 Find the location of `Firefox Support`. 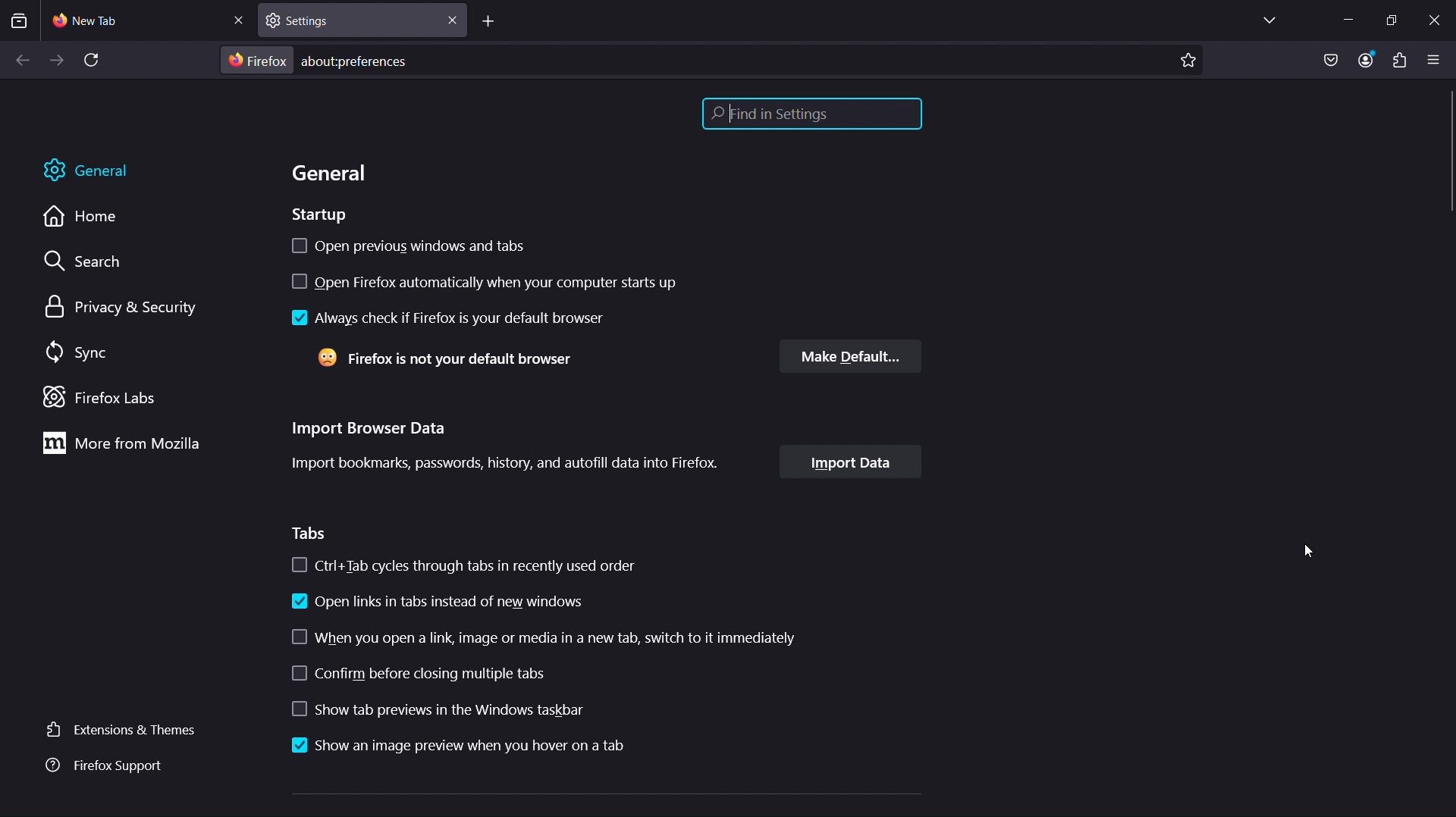

Firefox Support is located at coordinates (109, 766).